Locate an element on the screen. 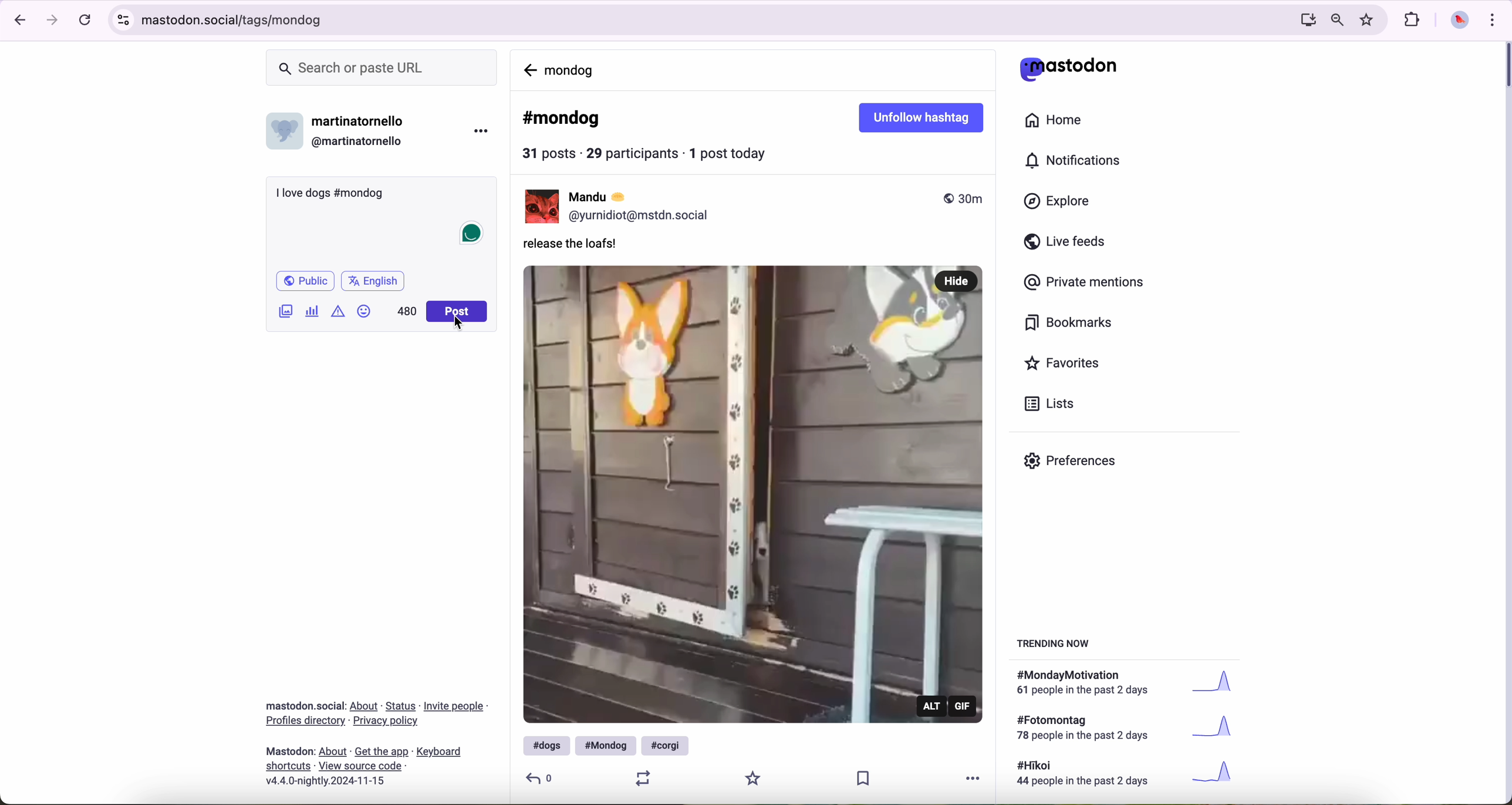  link is located at coordinates (333, 752).